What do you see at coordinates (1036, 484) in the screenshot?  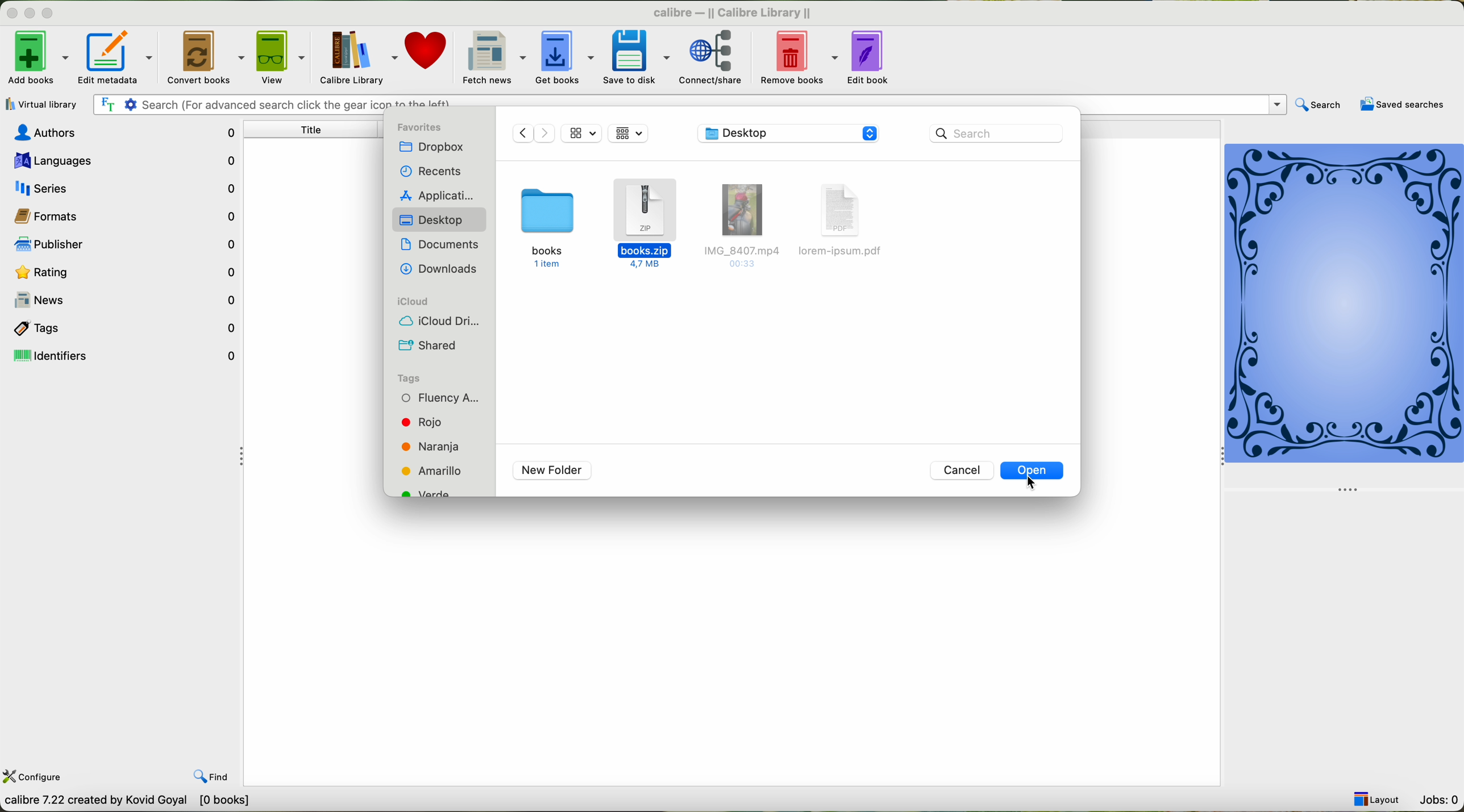 I see `cursor` at bounding box center [1036, 484].